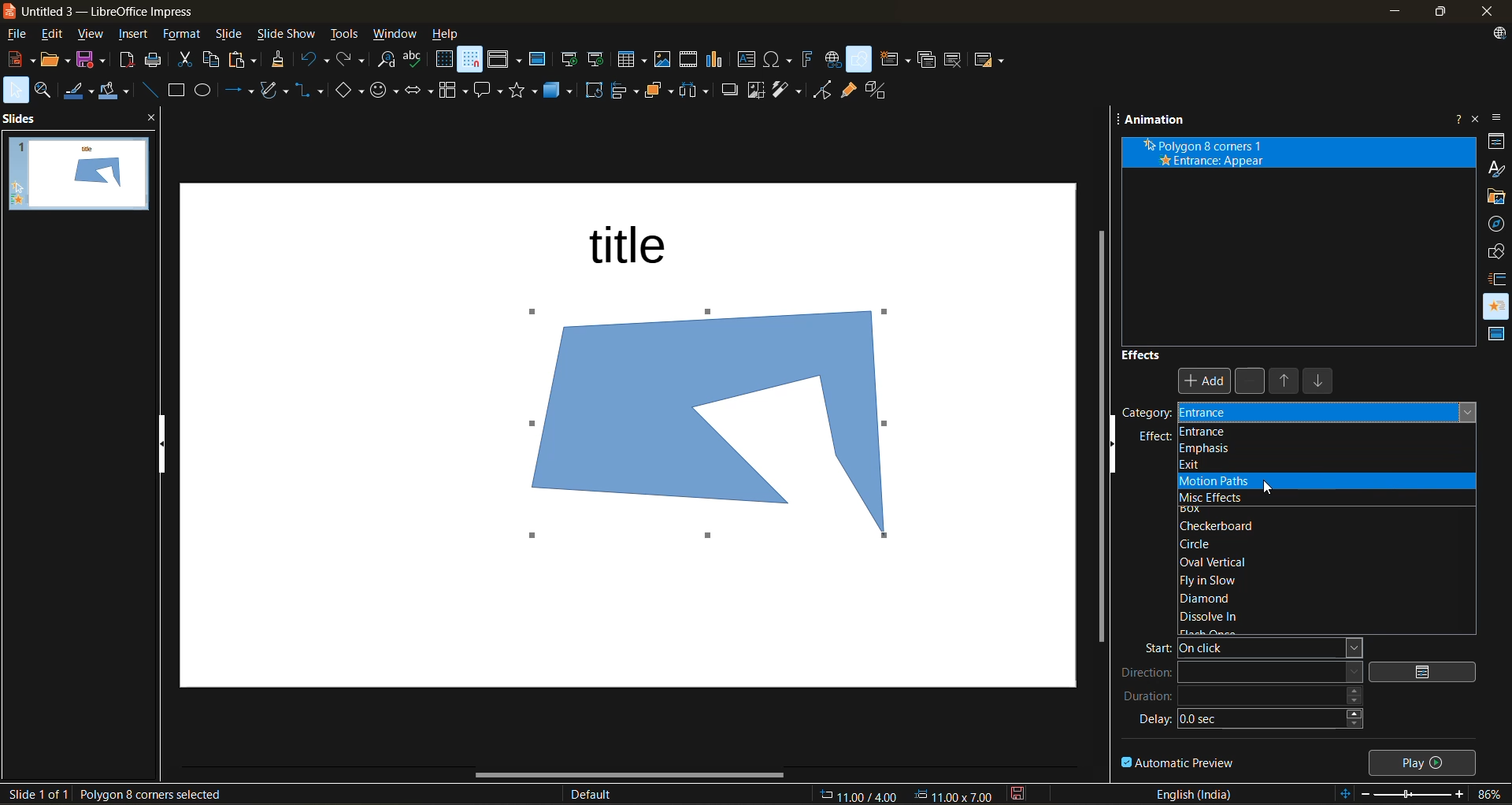 This screenshot has height=805, width=1512. Describe the element at coordinates (311, 91) in the screenshot. I see `connectors` at that location.